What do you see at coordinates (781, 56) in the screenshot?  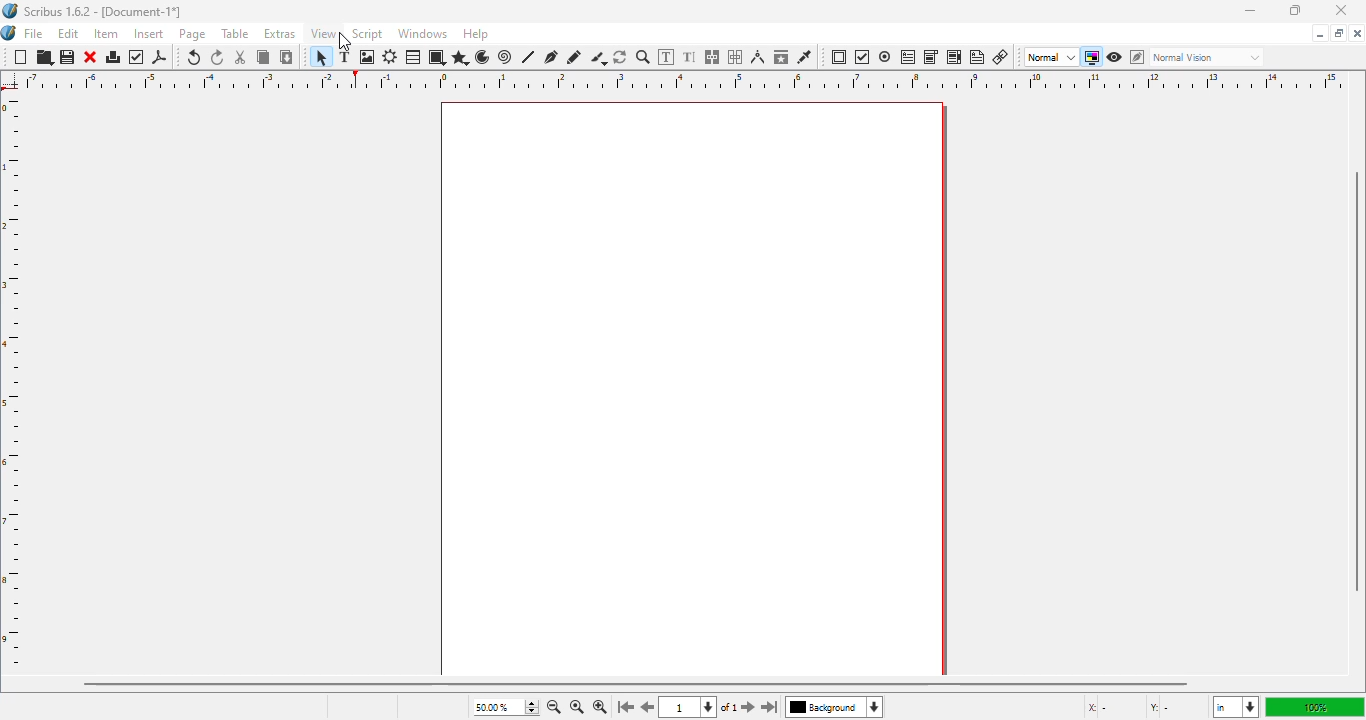 I see `copy item properties` at bounding box center [781, 56].